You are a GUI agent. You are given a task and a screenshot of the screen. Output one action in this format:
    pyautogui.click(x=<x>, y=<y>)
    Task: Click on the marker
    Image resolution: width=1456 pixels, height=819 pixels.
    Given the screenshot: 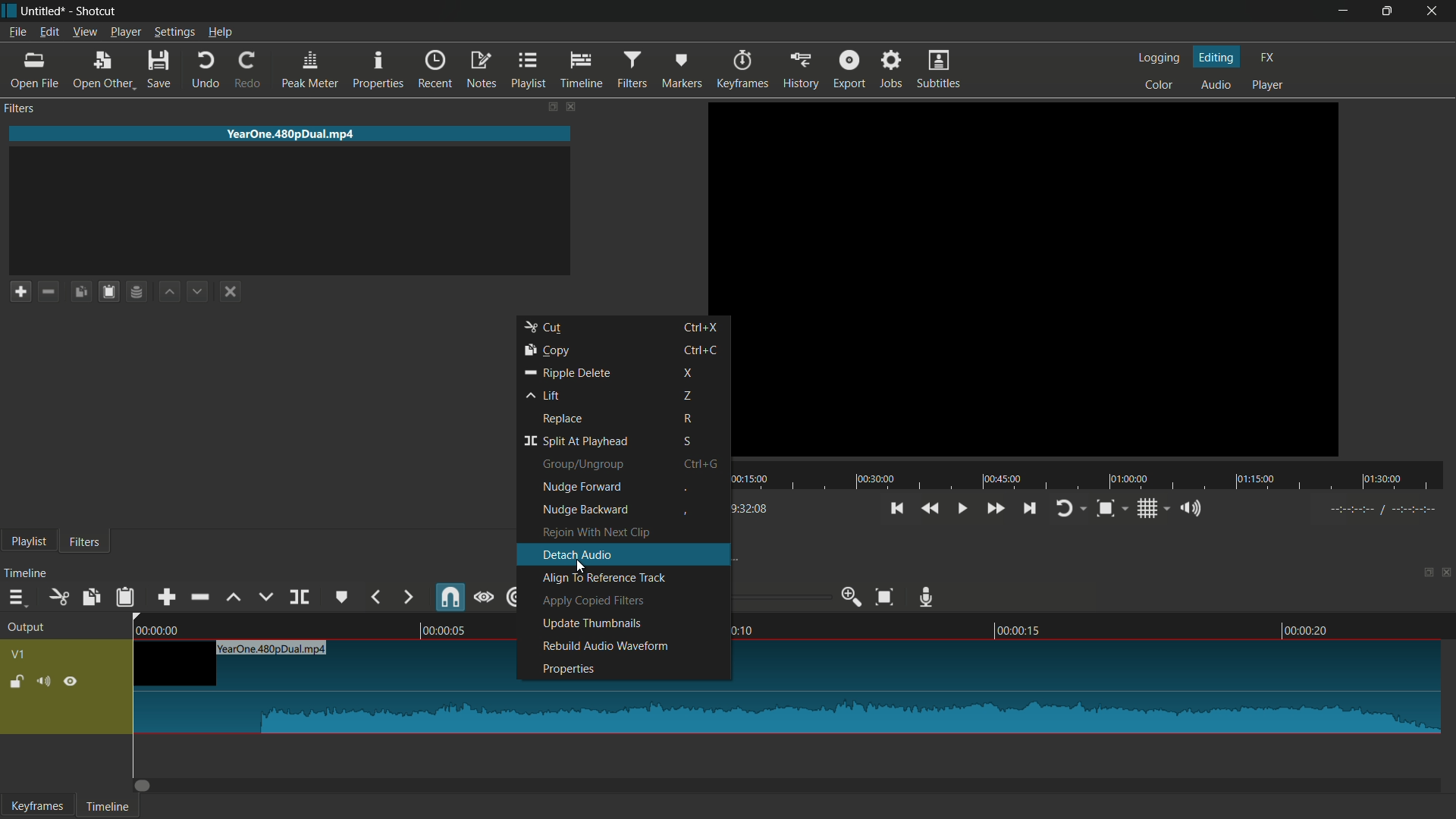 What is the action you would take?
    pyautogui.click(x=682, y=69)
    